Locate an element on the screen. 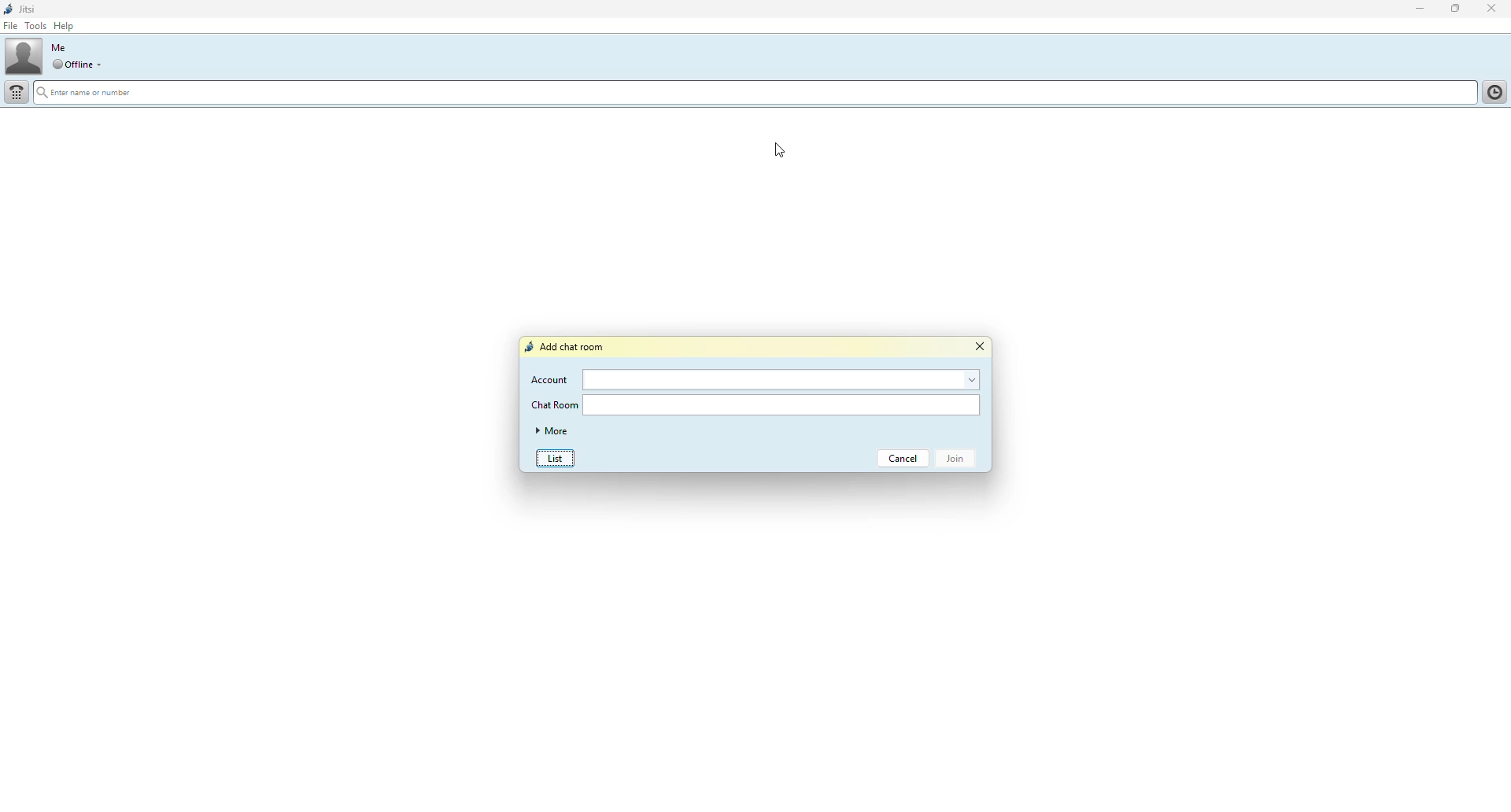  account is located at coordinates (550, 381).